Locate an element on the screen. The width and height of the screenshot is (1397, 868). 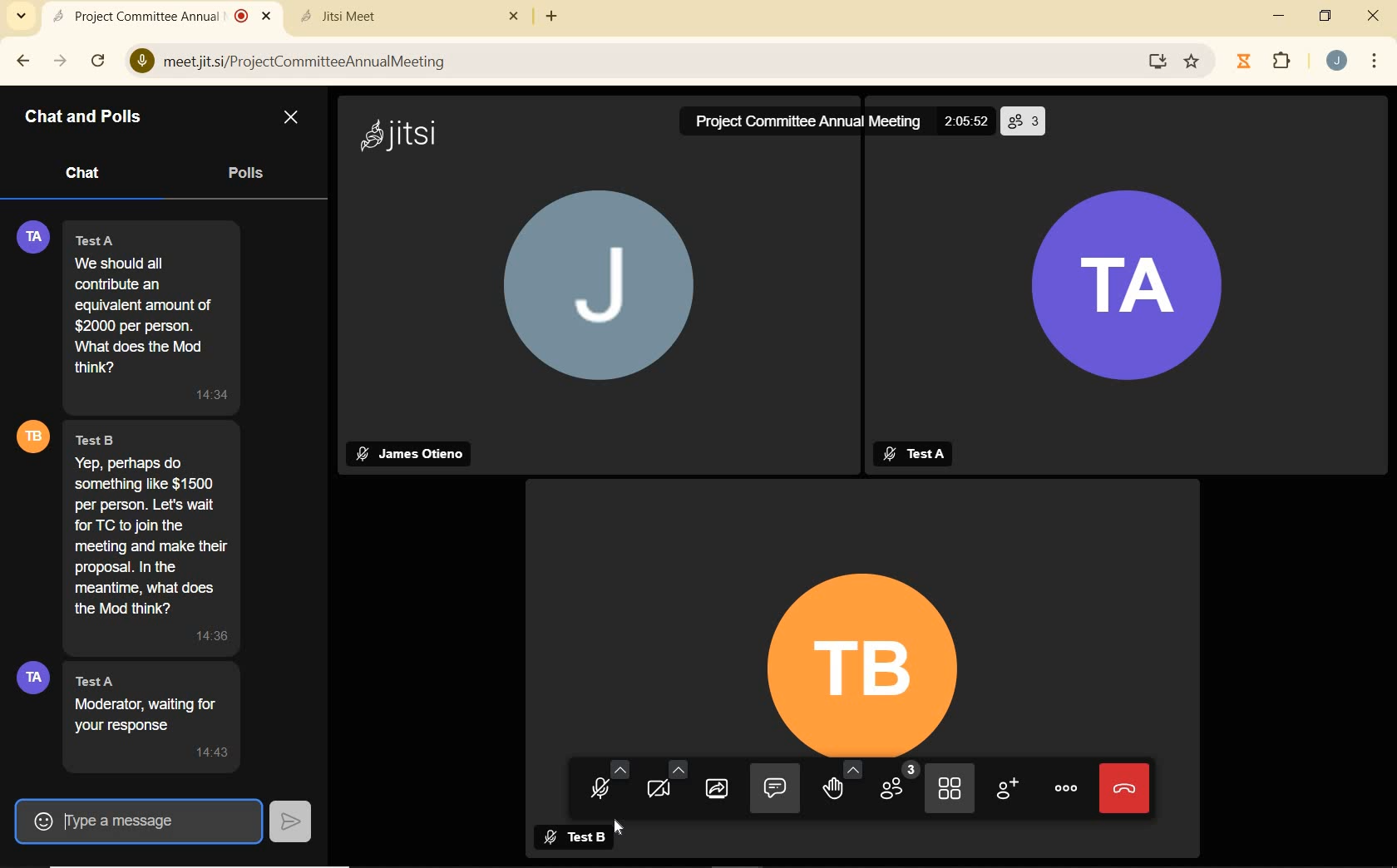
User Profile is located at coordinates (32, 679).